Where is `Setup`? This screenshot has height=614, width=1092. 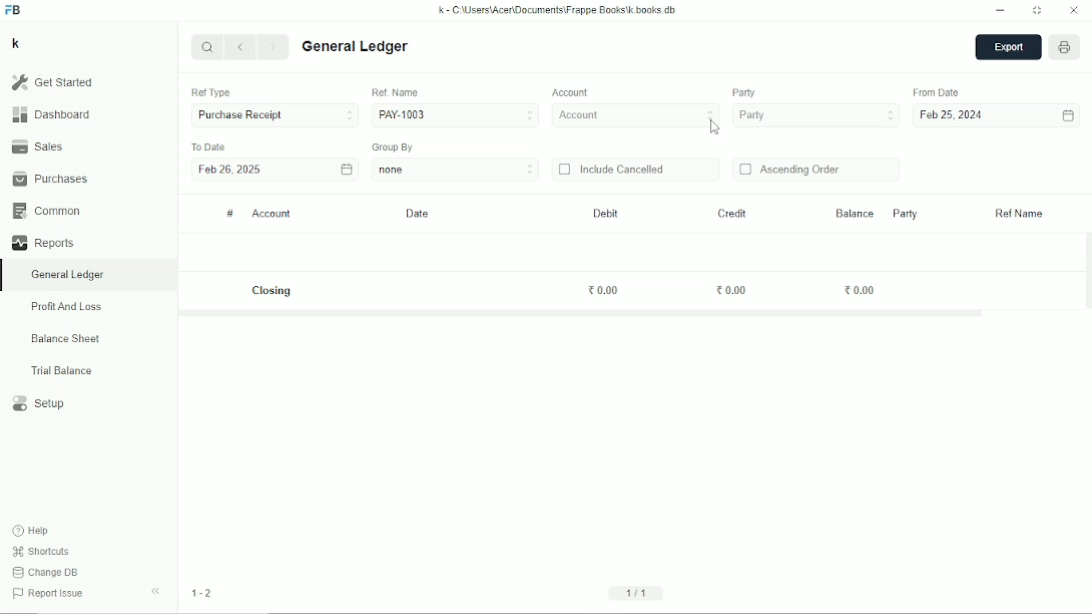 Setup is located at coordinates (40, 404).